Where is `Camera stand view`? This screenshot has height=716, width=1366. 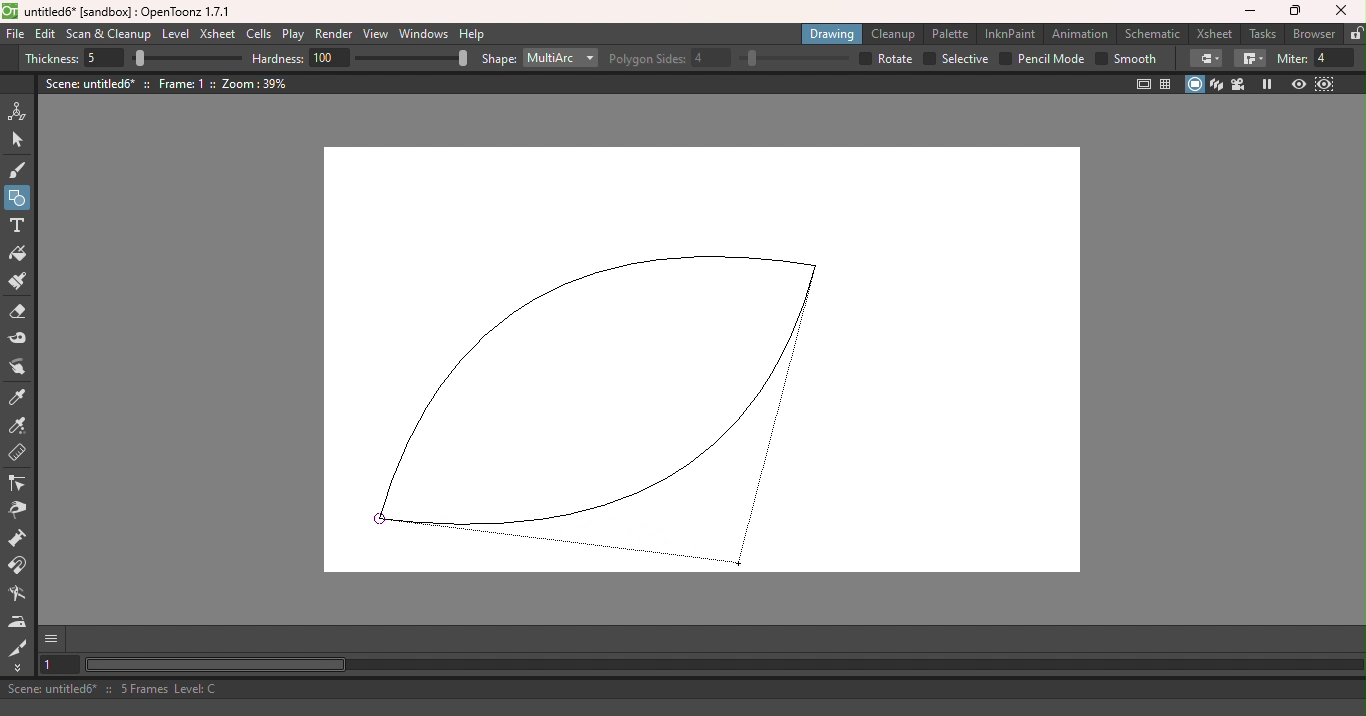 Camera stand view is located at coordinates (1195, 84).